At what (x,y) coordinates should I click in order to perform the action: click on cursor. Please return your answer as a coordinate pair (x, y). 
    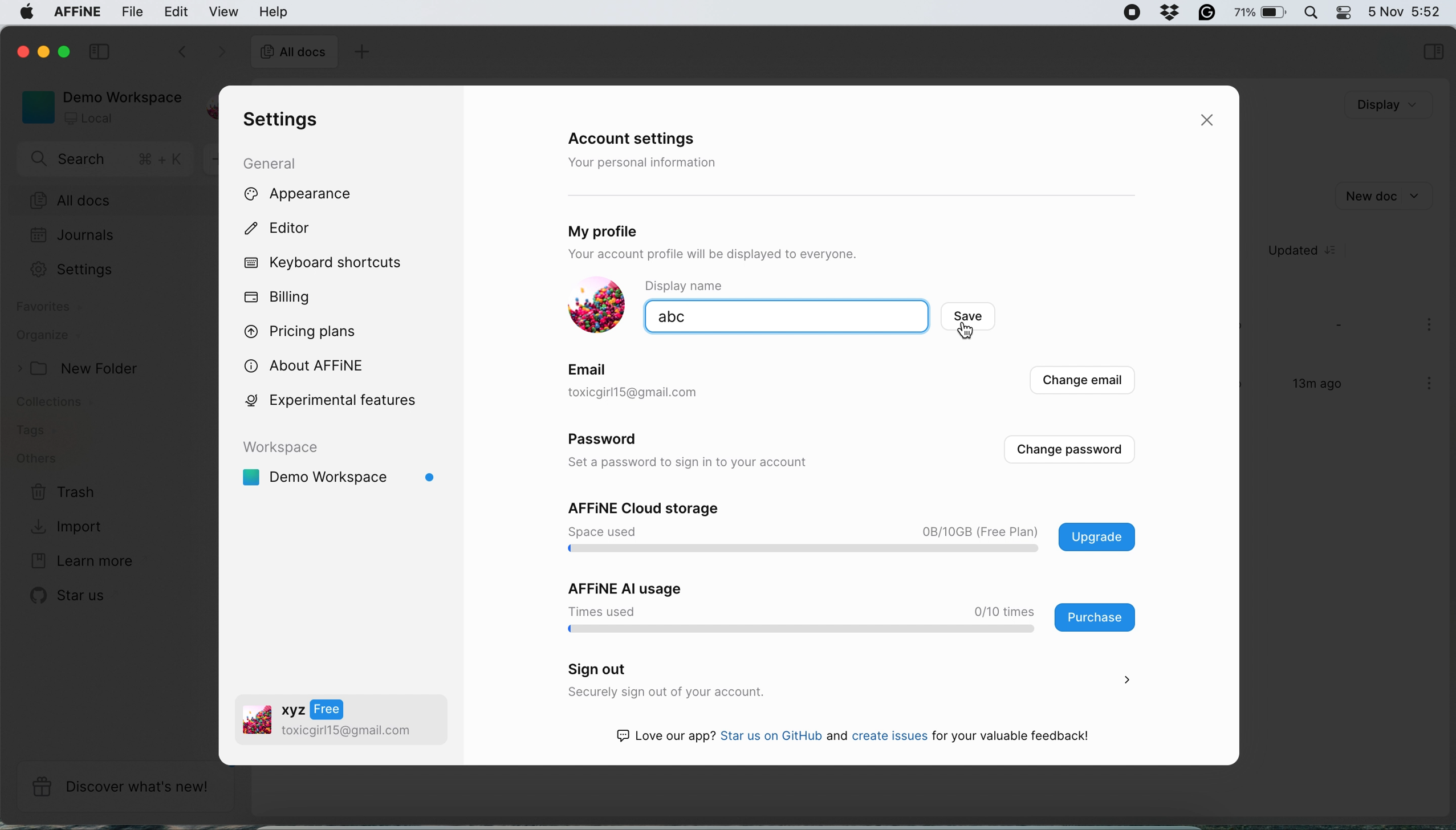
    Looking at the image, I should click on (969, 332).